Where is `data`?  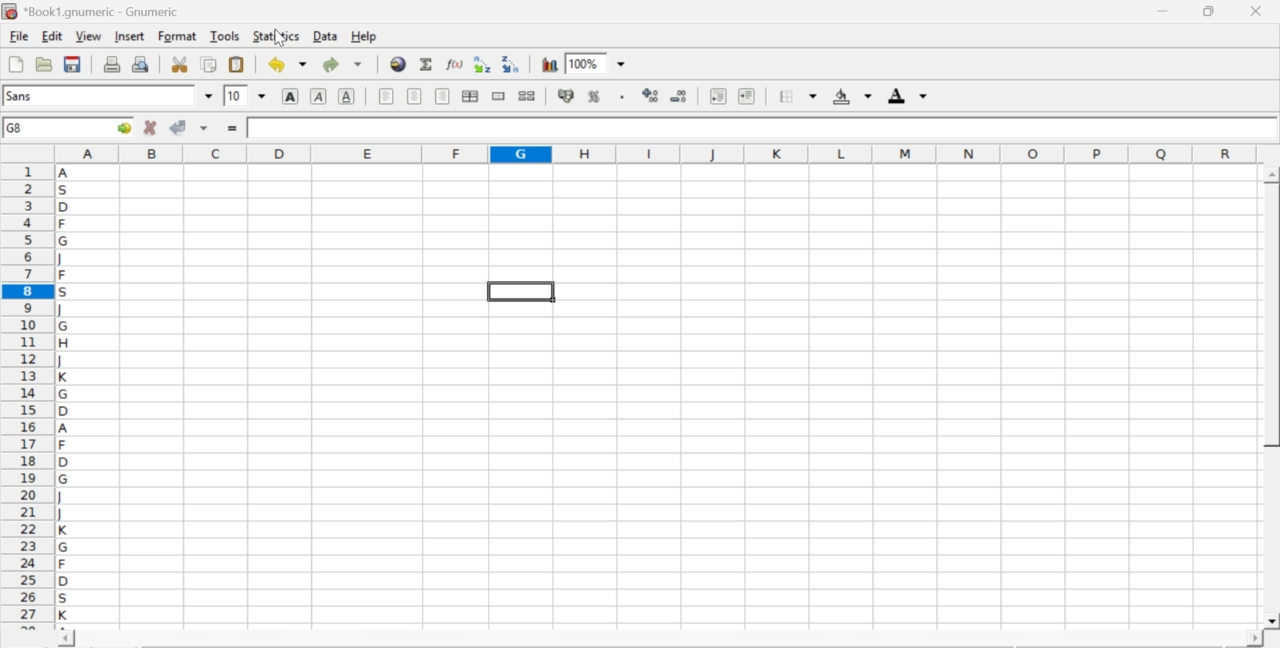
data is located at coordinates (327, 35).